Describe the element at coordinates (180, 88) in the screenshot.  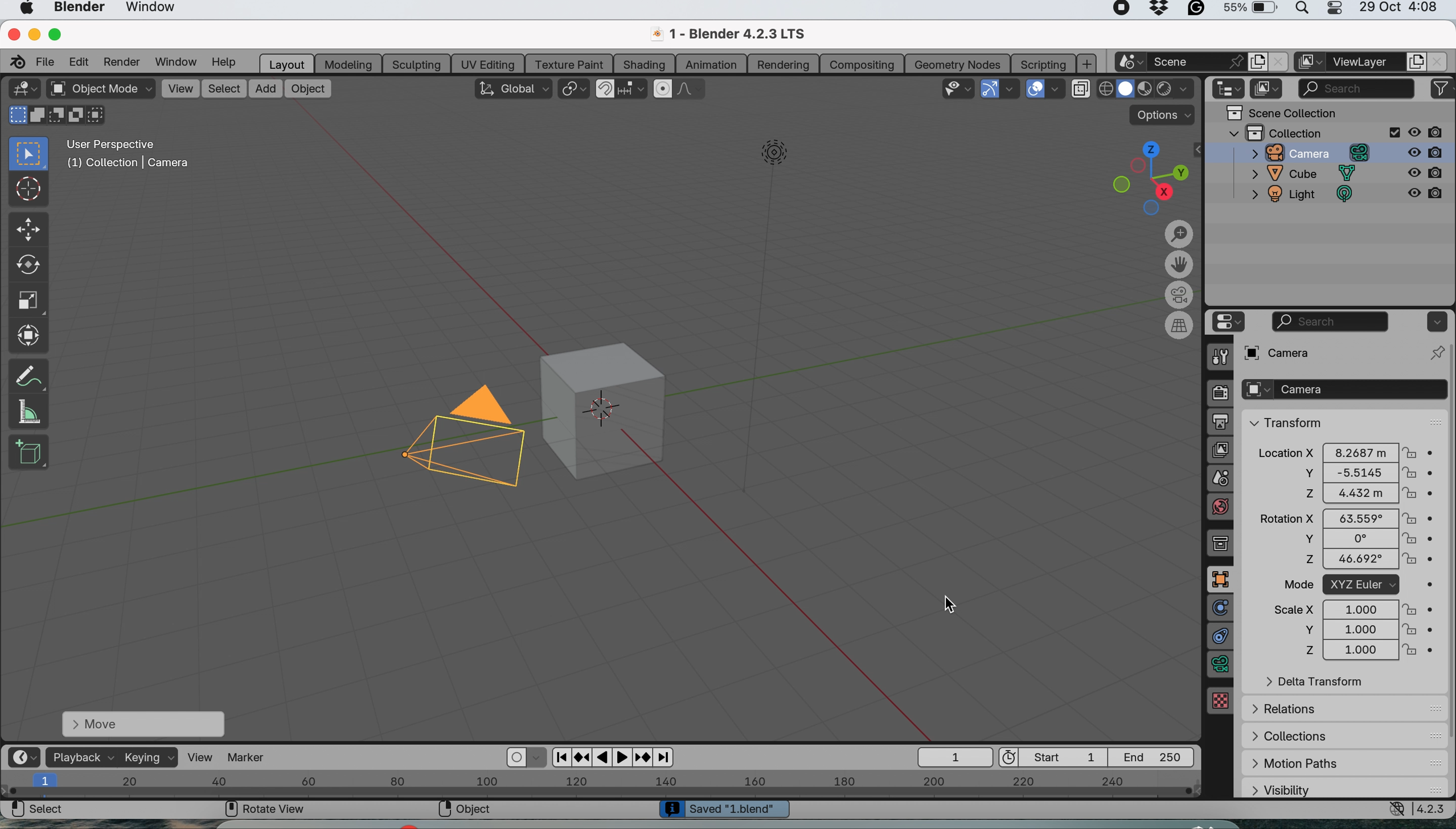
I see `view` at that location.